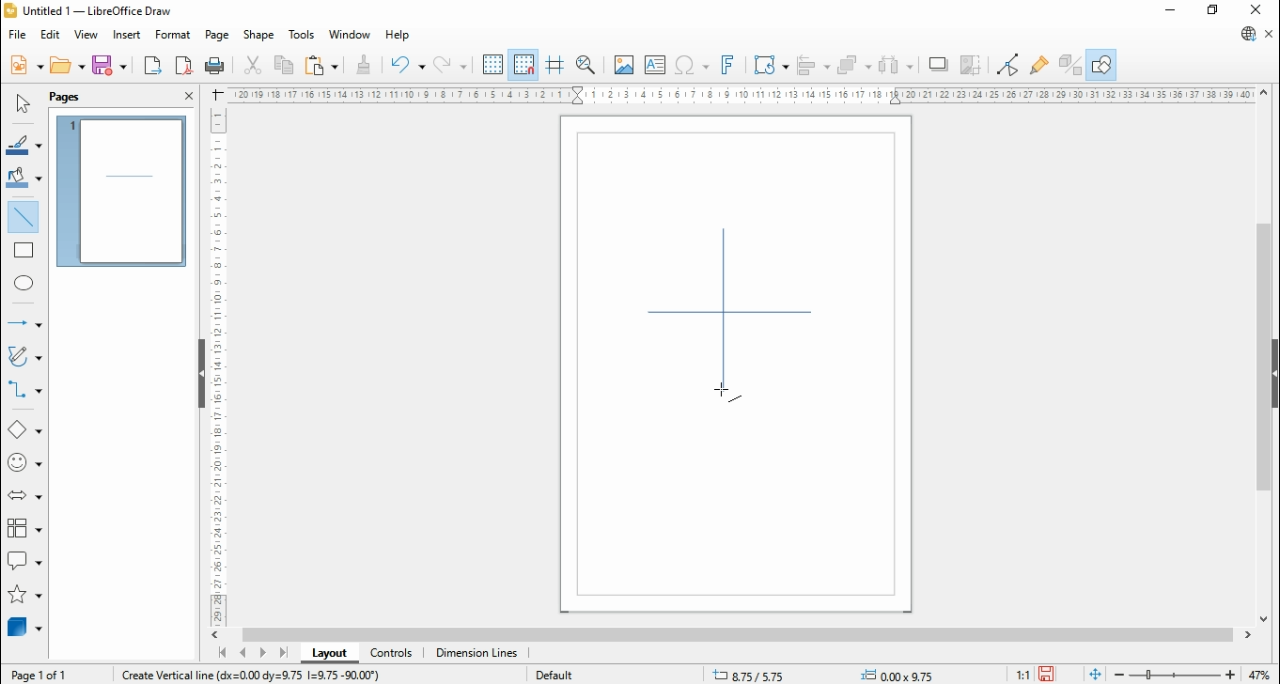 Image resolution: width=1280 pixels, height=684 pixels. What do you see at coordinates (653, 64) in the screenshot?
I see `insert text box` at bounding box center [653, 64].